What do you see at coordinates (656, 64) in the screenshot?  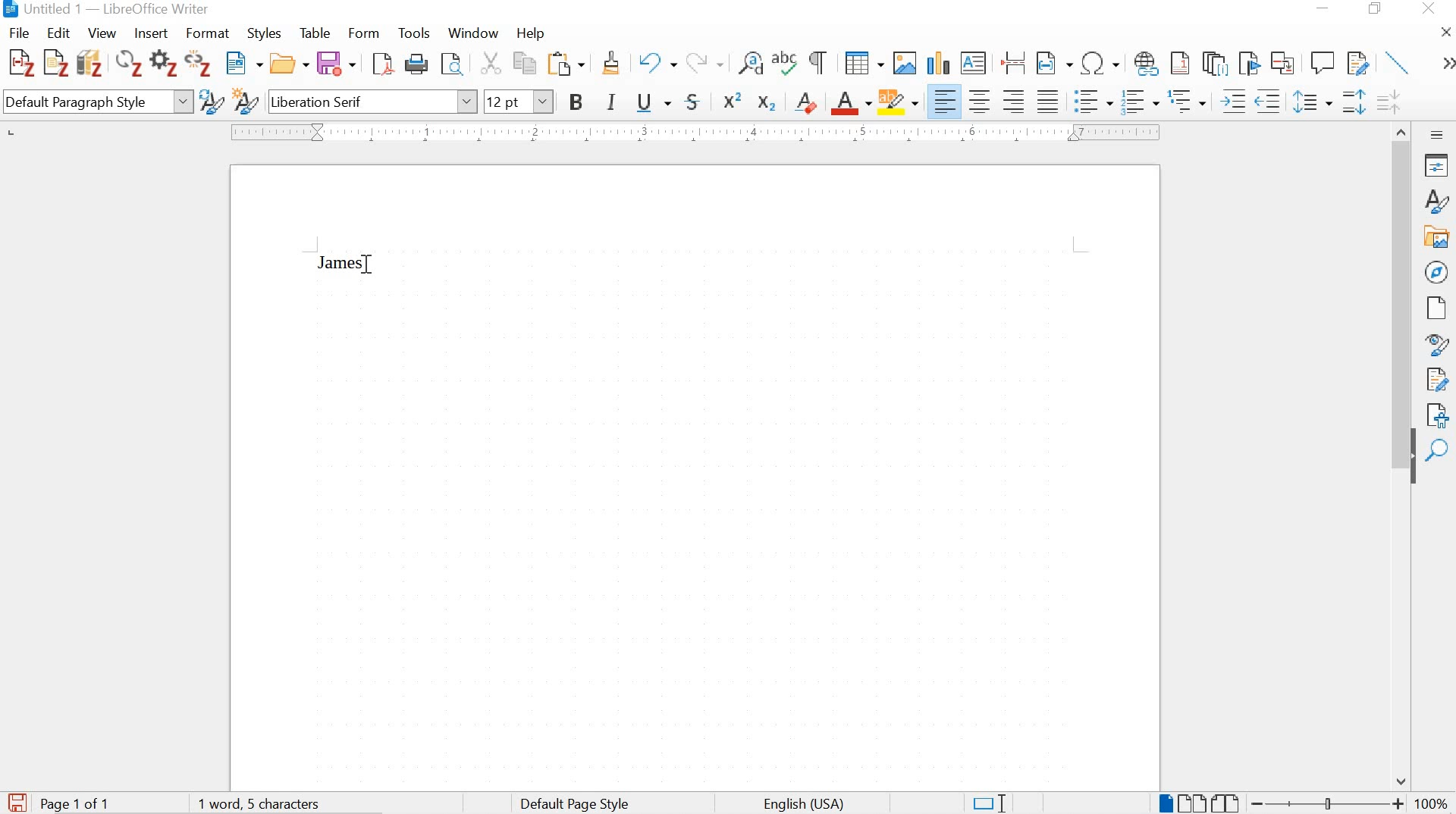 I see `undo` at bounding box center [656, 64].